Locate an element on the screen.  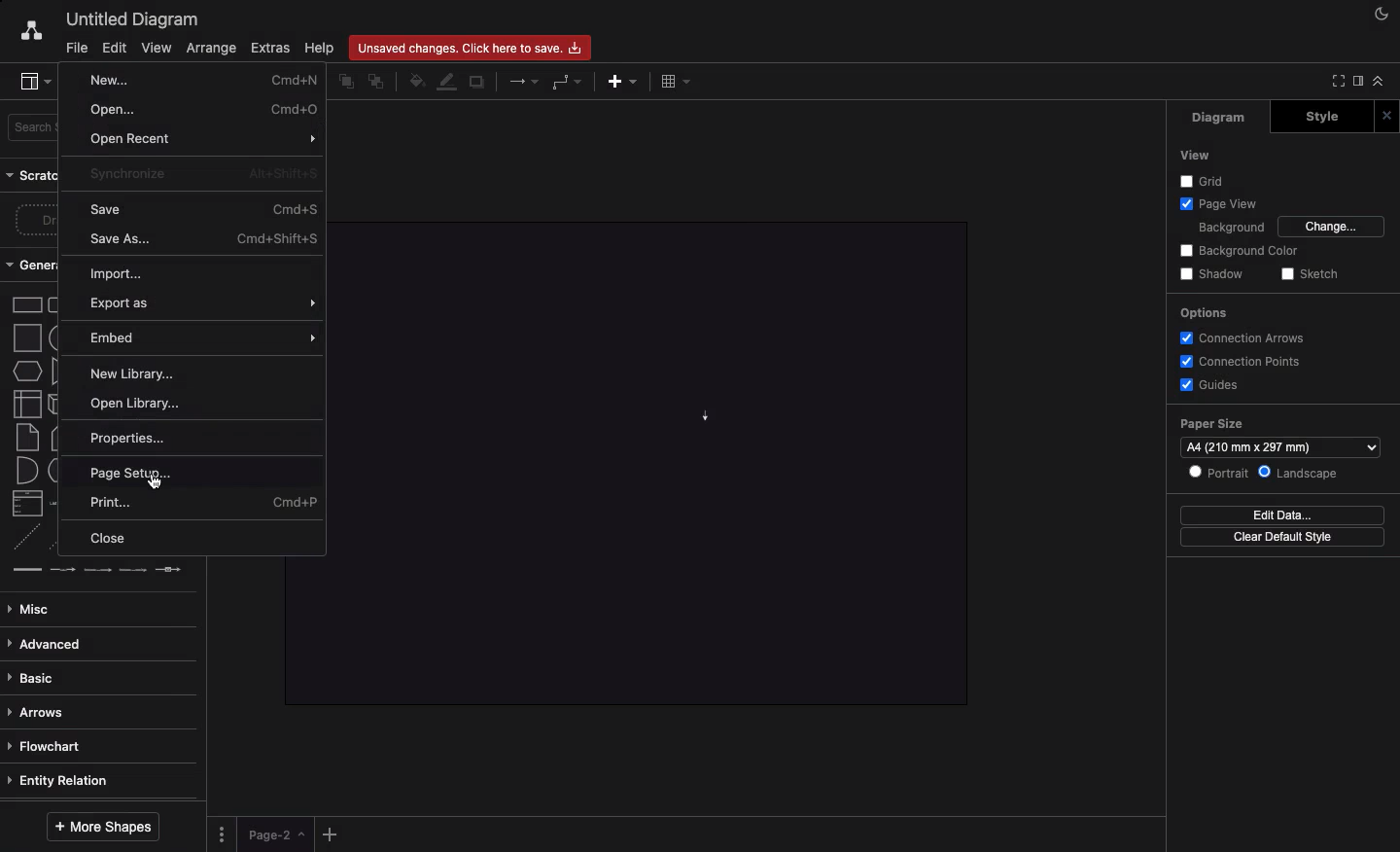
Landscape is located at coordinates (1299, 474).